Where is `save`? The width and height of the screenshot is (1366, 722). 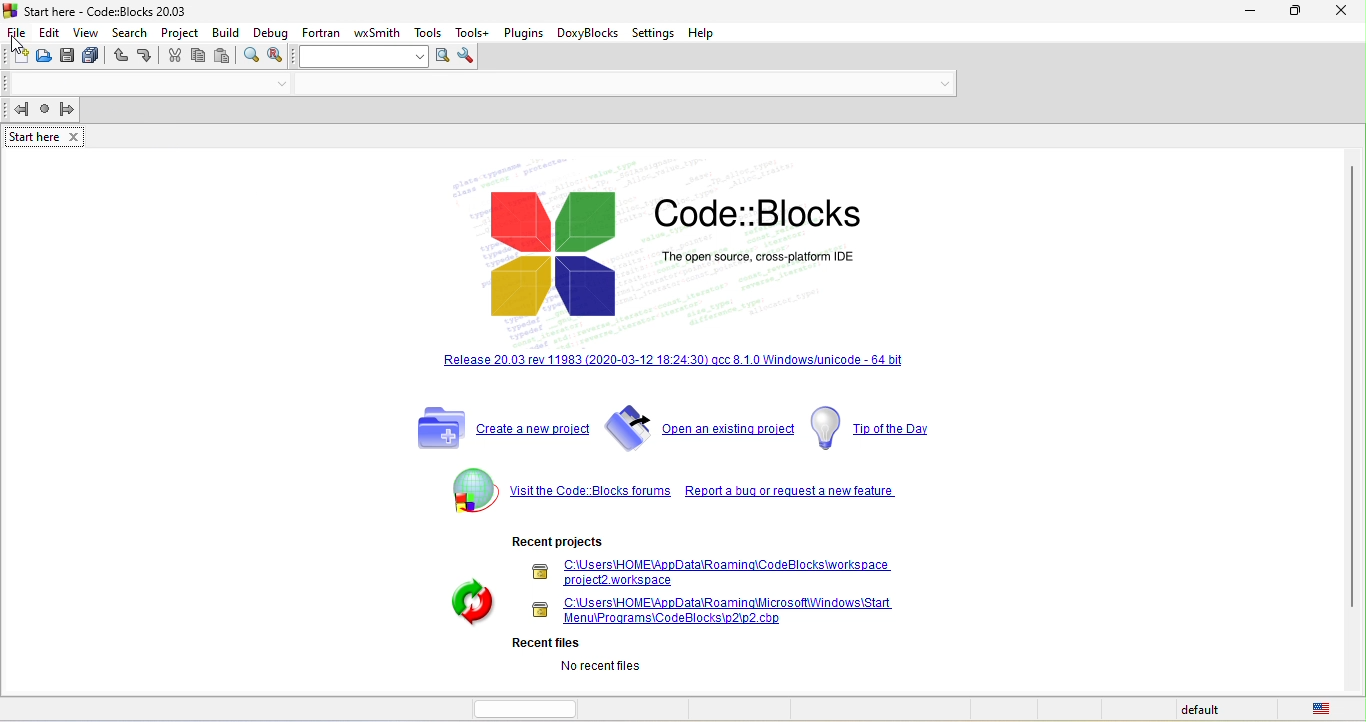
save is located at coordinates (69, 58).